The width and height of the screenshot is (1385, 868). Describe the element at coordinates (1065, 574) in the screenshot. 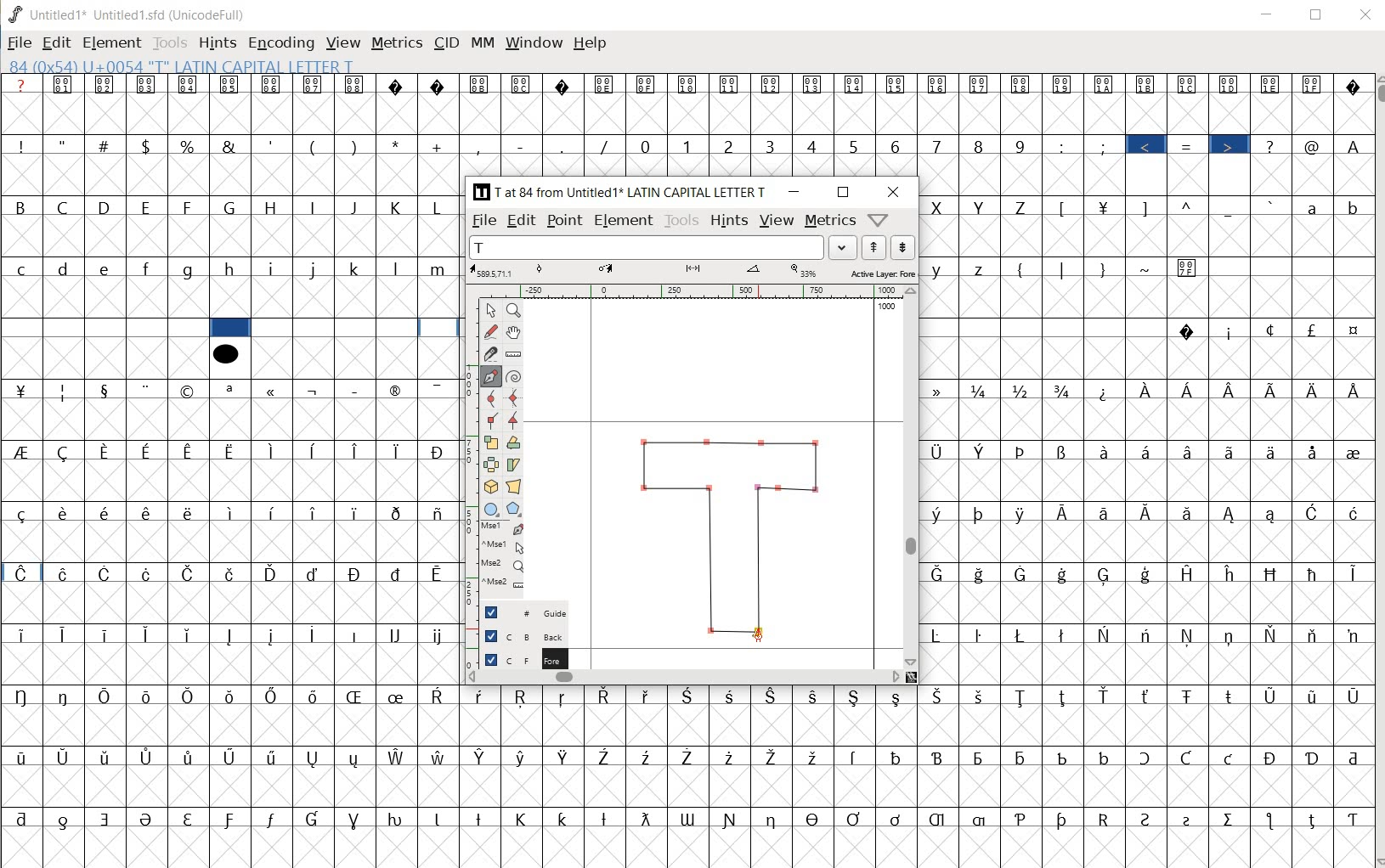

I see `Symbol` at that location.